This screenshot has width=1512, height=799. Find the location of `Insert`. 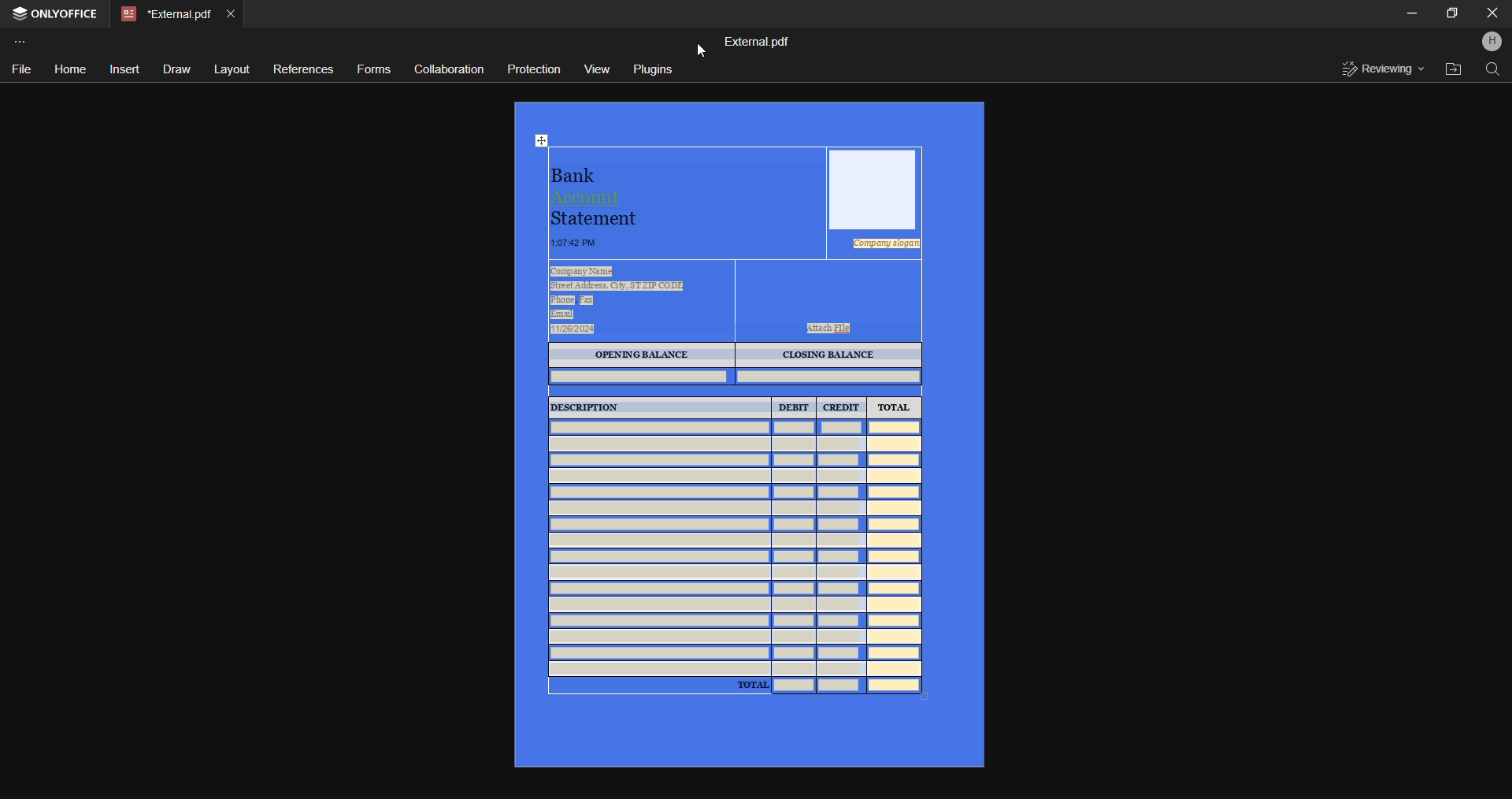

Insert is located at coordinates (123, 69).